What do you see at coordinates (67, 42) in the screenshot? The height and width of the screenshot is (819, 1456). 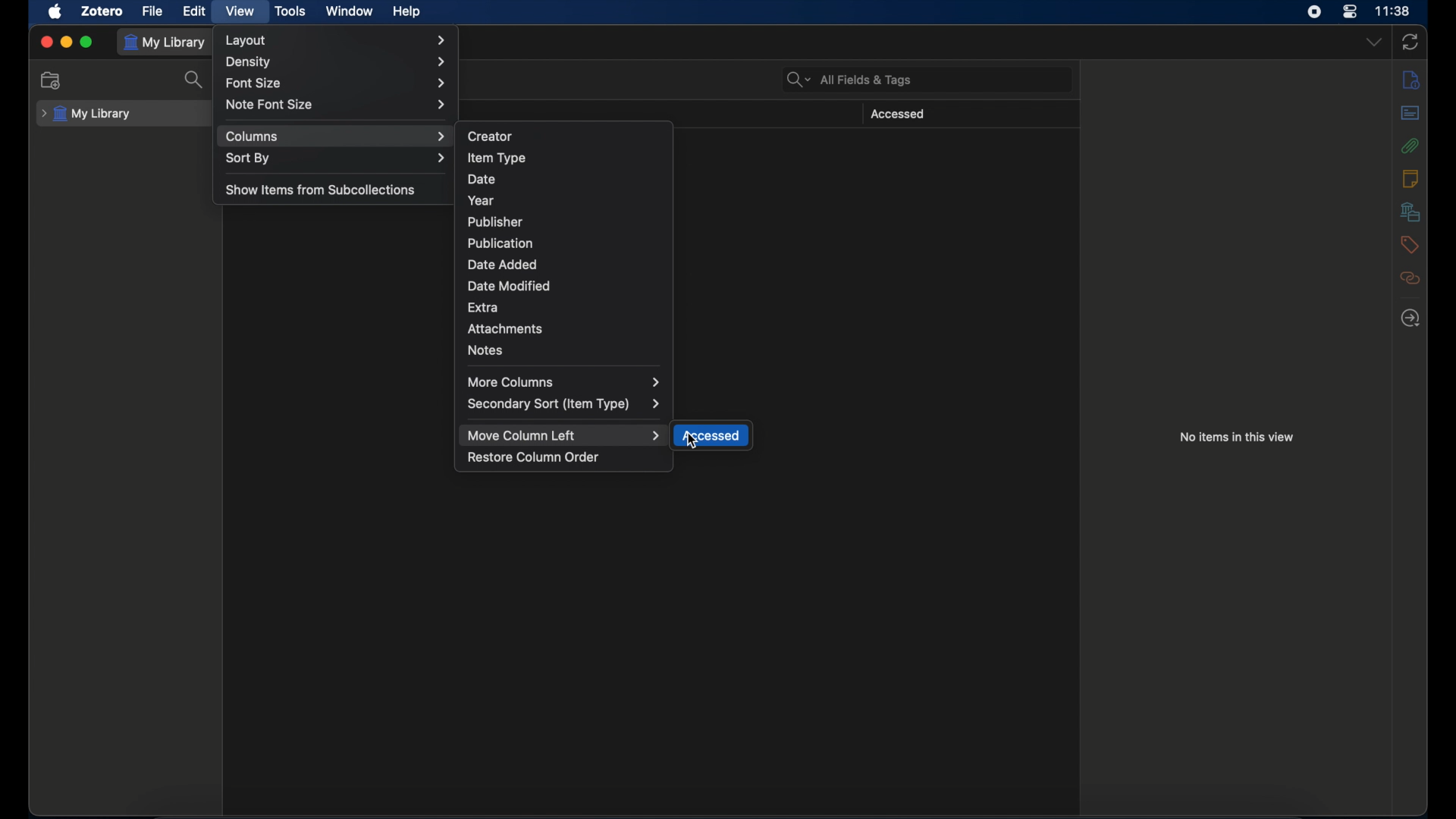 I see `minimize` at bounding box center [67, 42].